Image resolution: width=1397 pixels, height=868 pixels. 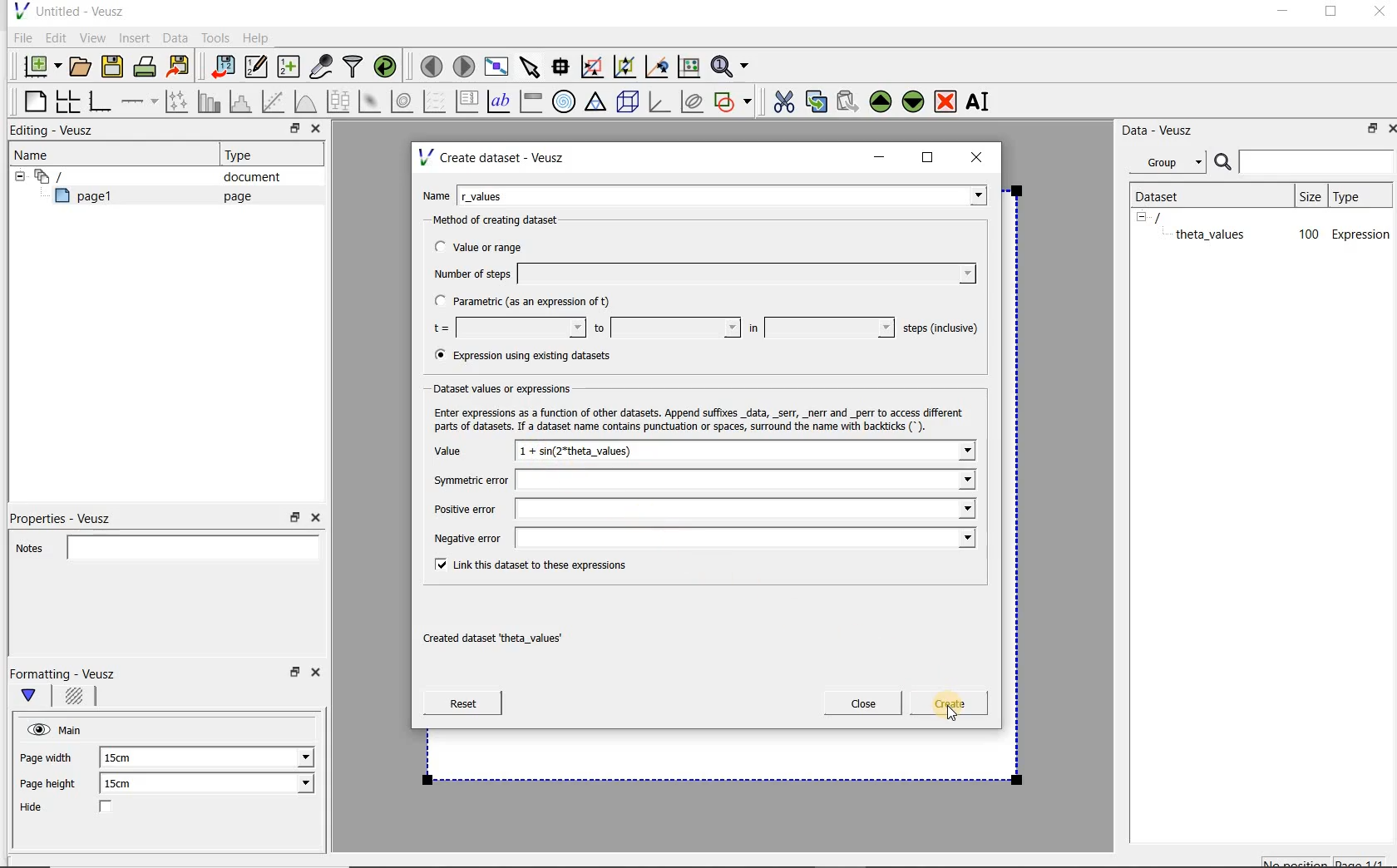 I want to click on page, so click(x=234, y=196).